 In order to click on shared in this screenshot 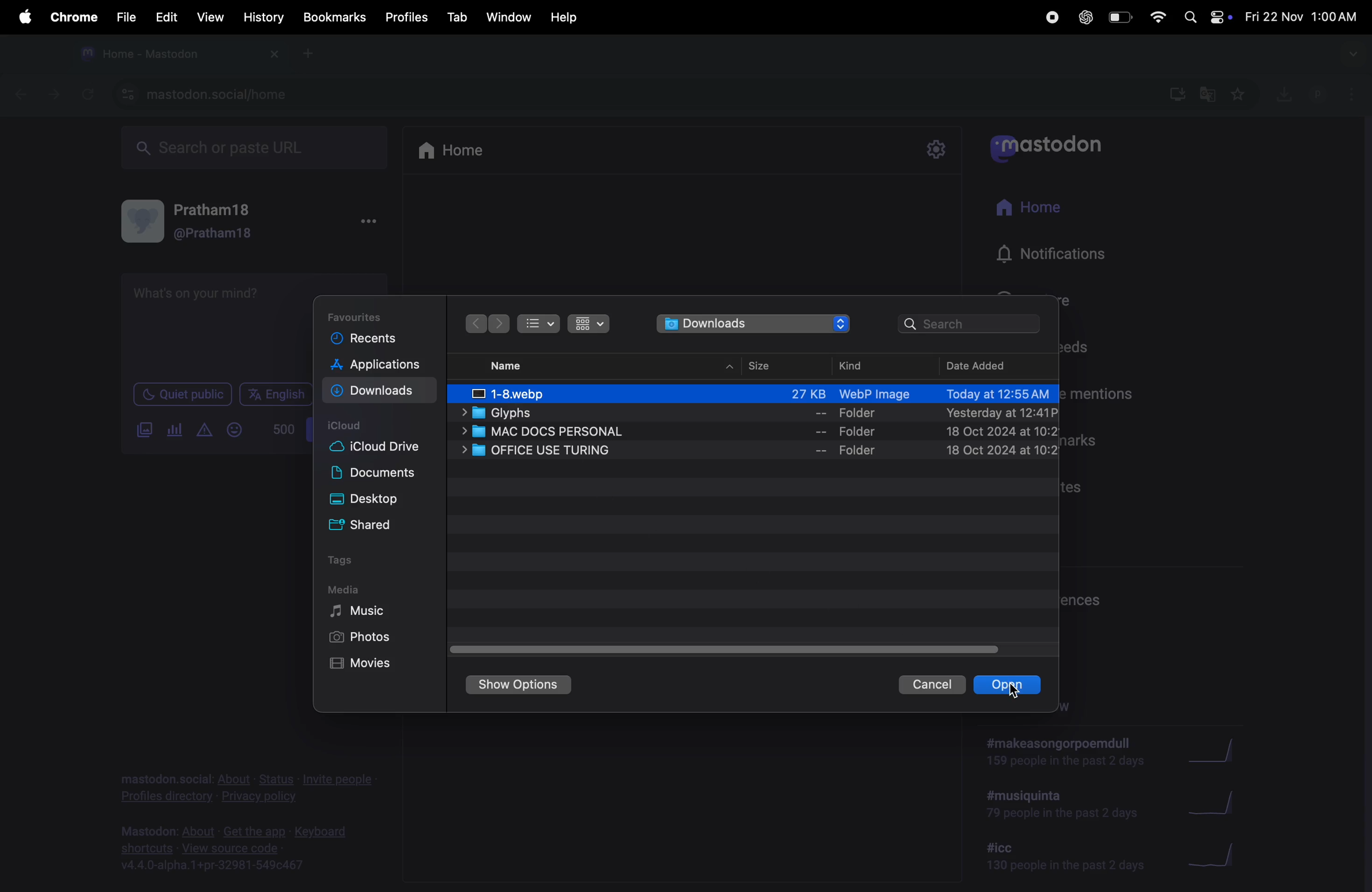, I will do `click(365, 526)`.